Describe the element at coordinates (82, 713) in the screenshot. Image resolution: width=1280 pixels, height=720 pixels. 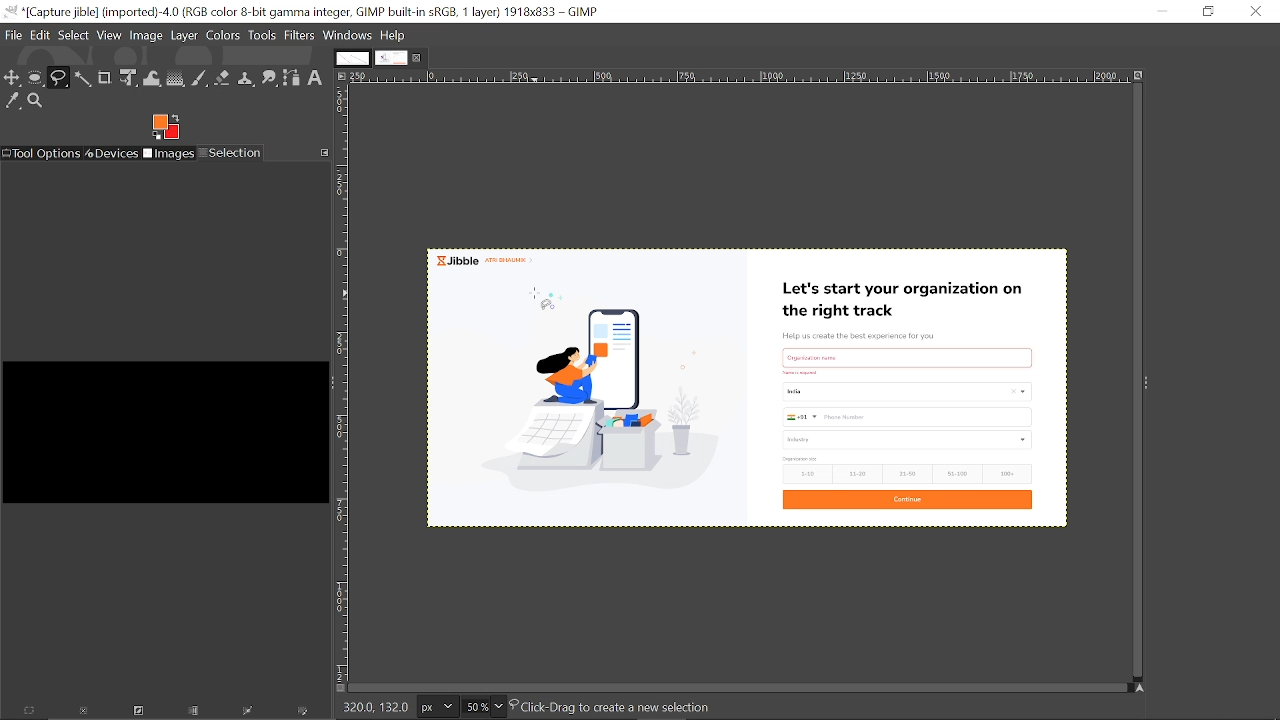
I see `Dismiss this selection` at that location.